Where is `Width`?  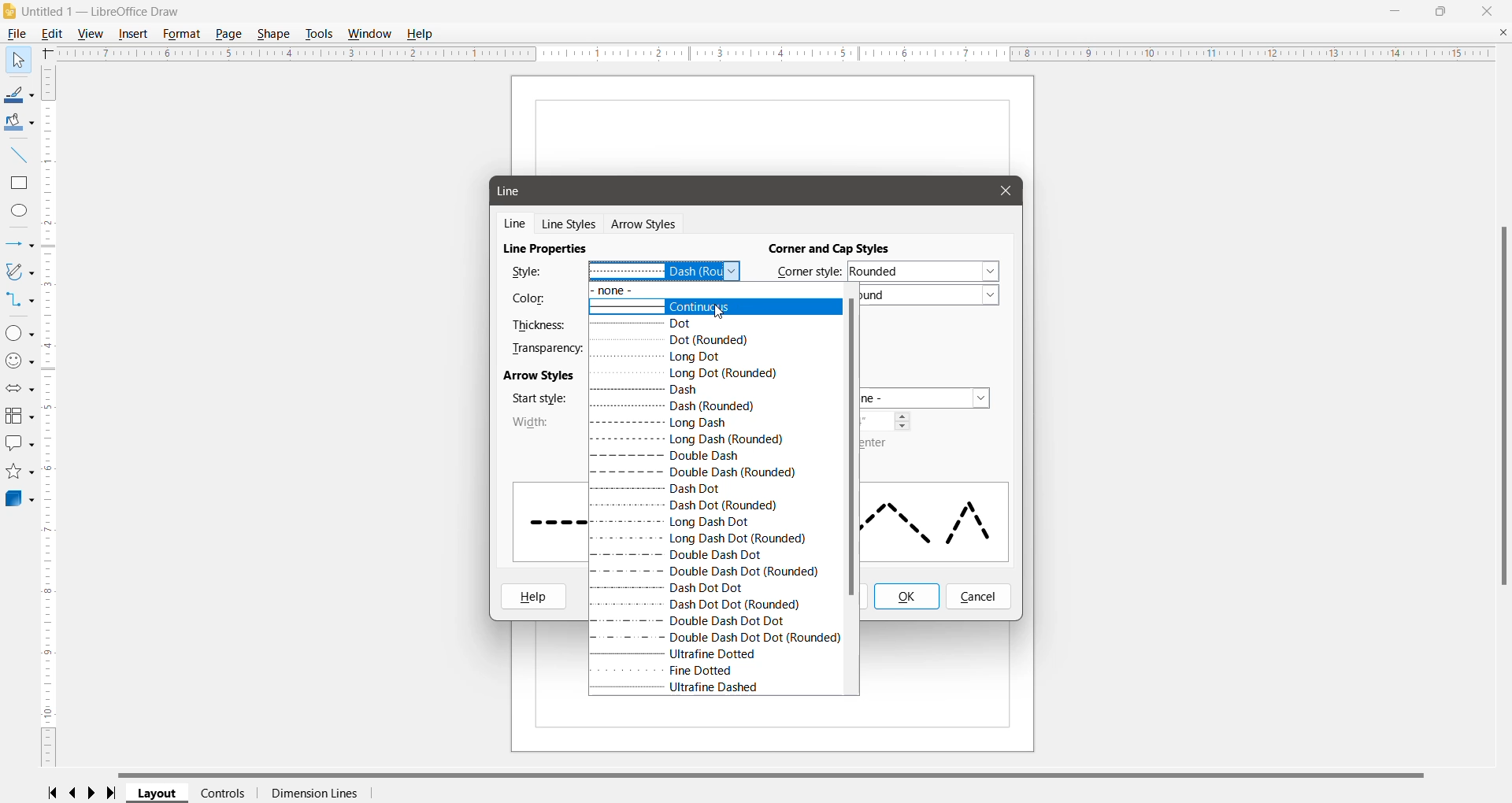
Width is located at coordinates (536, 423).